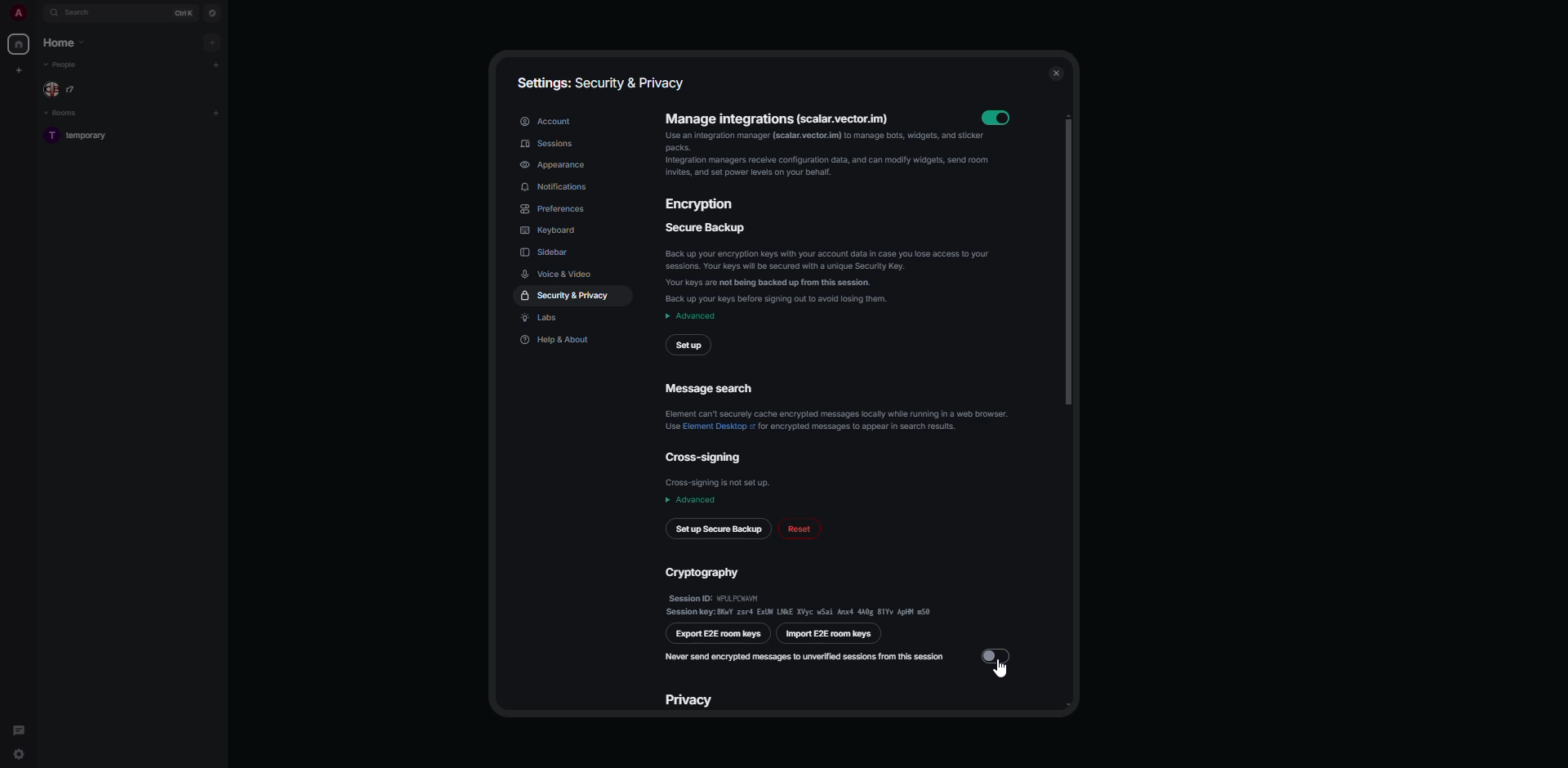 This screenshot has height=768, width=1568. Describe the element at coordinates (998, 654) in the screenshot. I see `disabled` at that location.